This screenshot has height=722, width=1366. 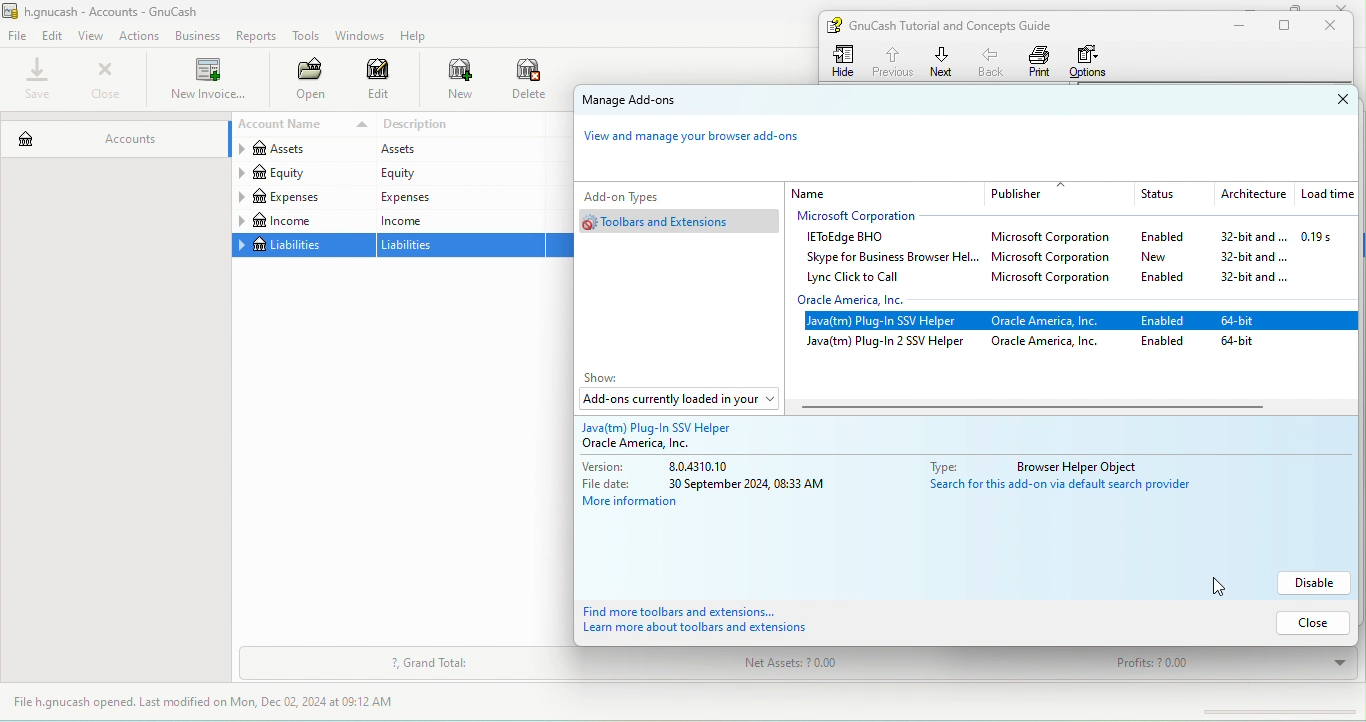 I want to click on file h.gnucash opened last modified on mon, dec 02,2024 at 09.12 am, so click(x=219, y=703).